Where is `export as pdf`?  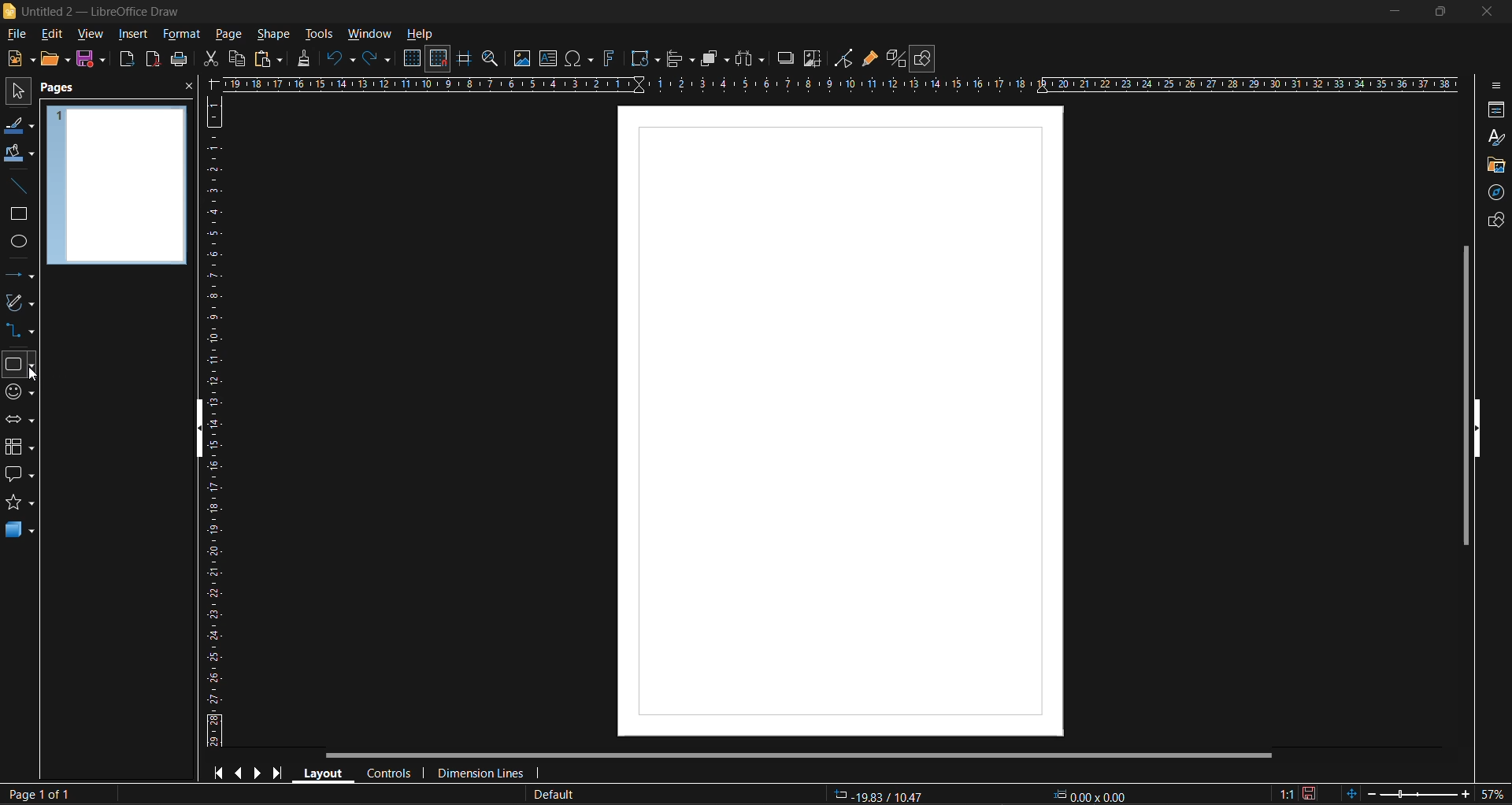
export as pdf is located at coordinates (152, 58).